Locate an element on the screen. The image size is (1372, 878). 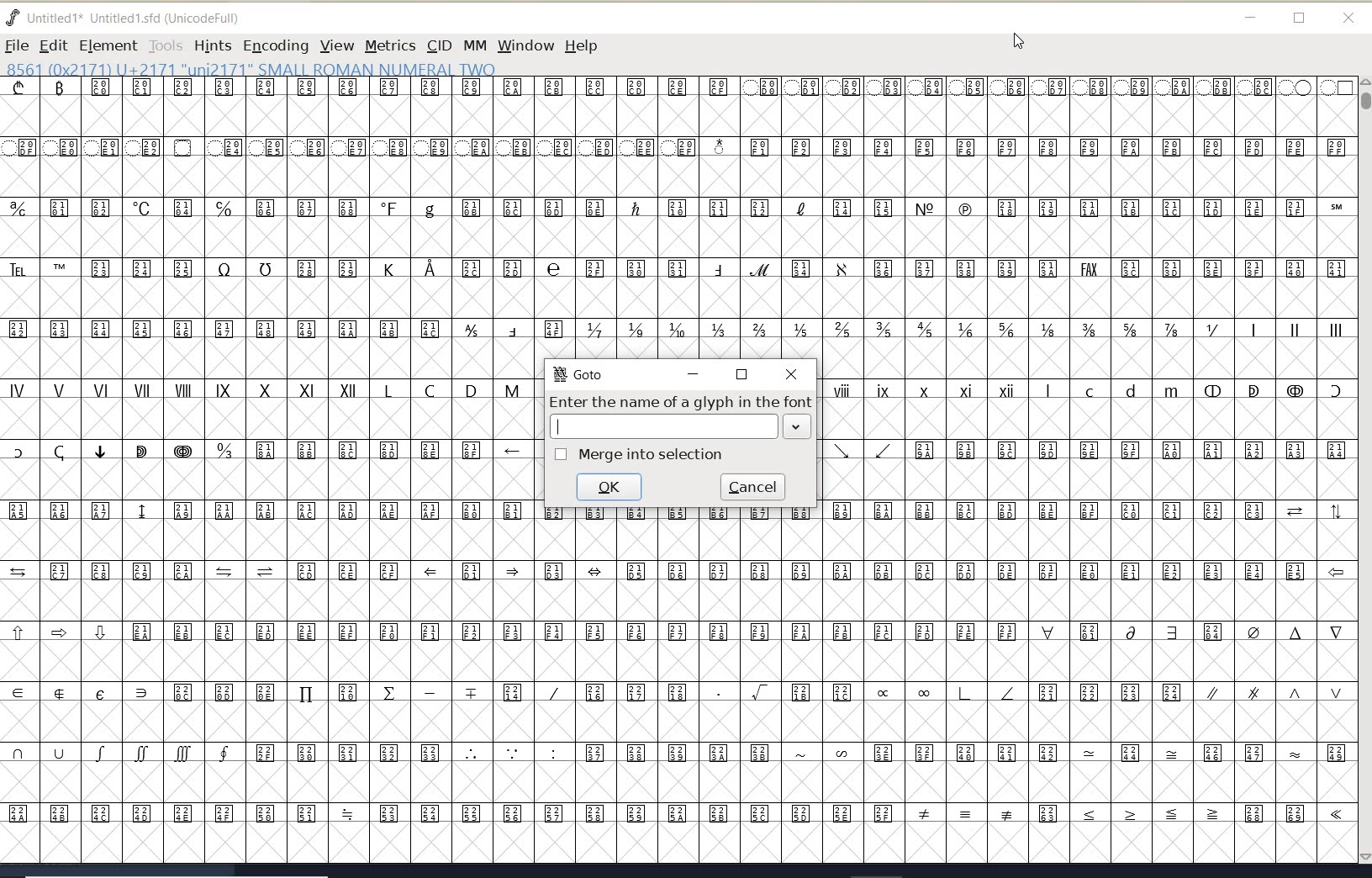
HINTS is located at coordinates (212, 46).